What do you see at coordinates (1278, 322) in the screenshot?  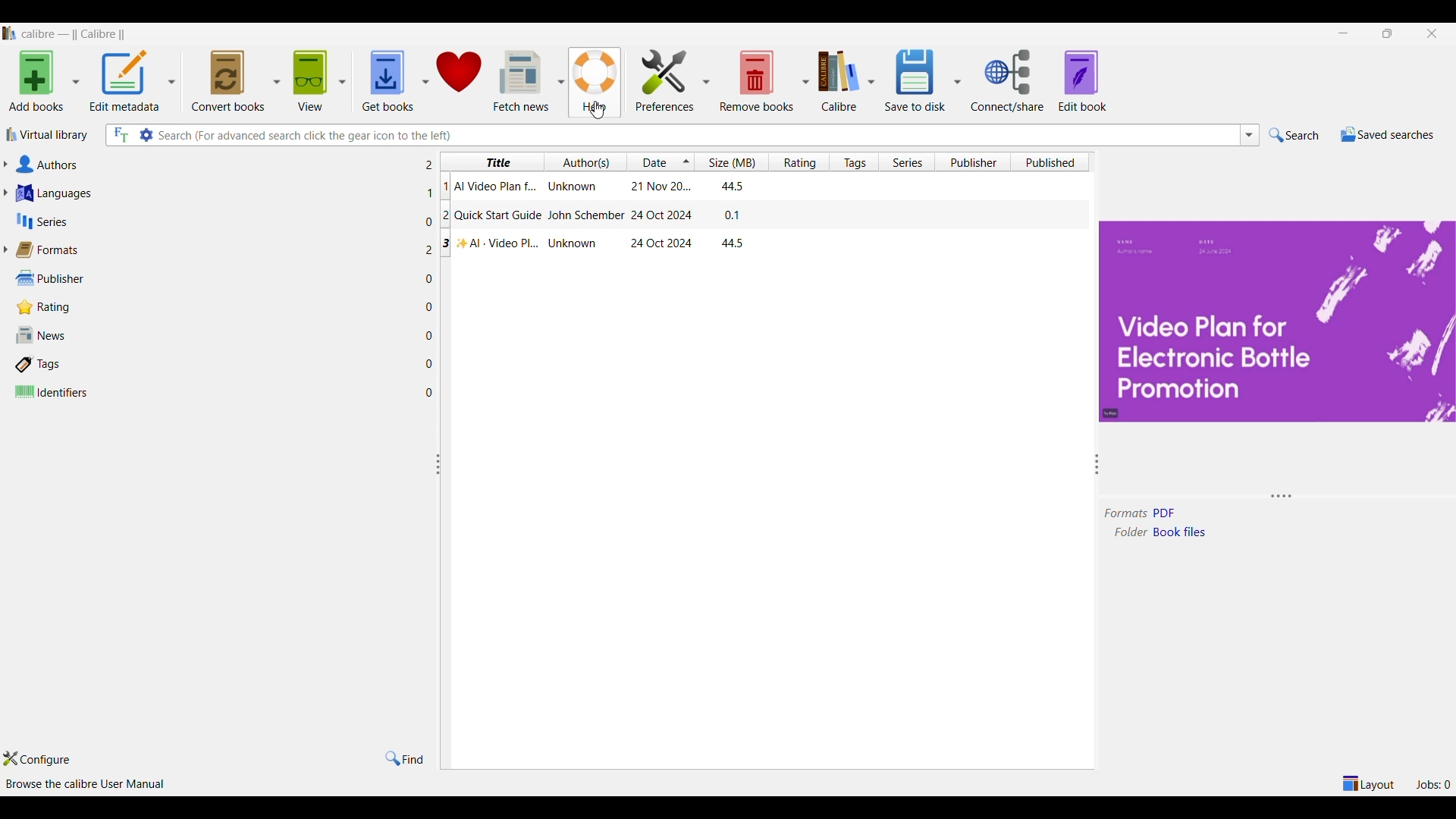 I see `Preview of title page of selected file` at bounding box center [1278, 322].